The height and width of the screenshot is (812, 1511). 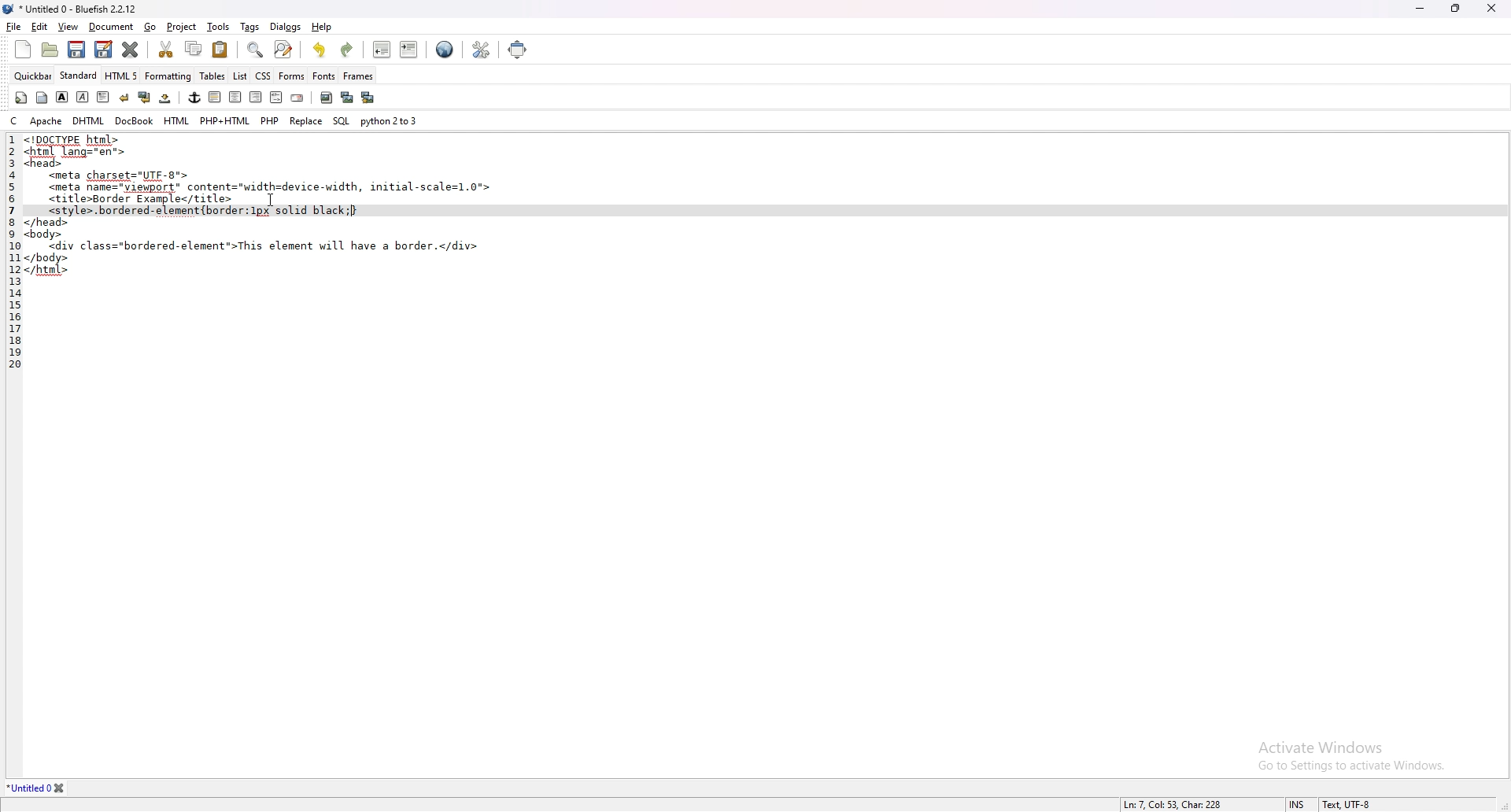 What do you see at coordinates (390, 120) in the screenshot?
I see `python 2 to 3` at bounding box center [390, 120].